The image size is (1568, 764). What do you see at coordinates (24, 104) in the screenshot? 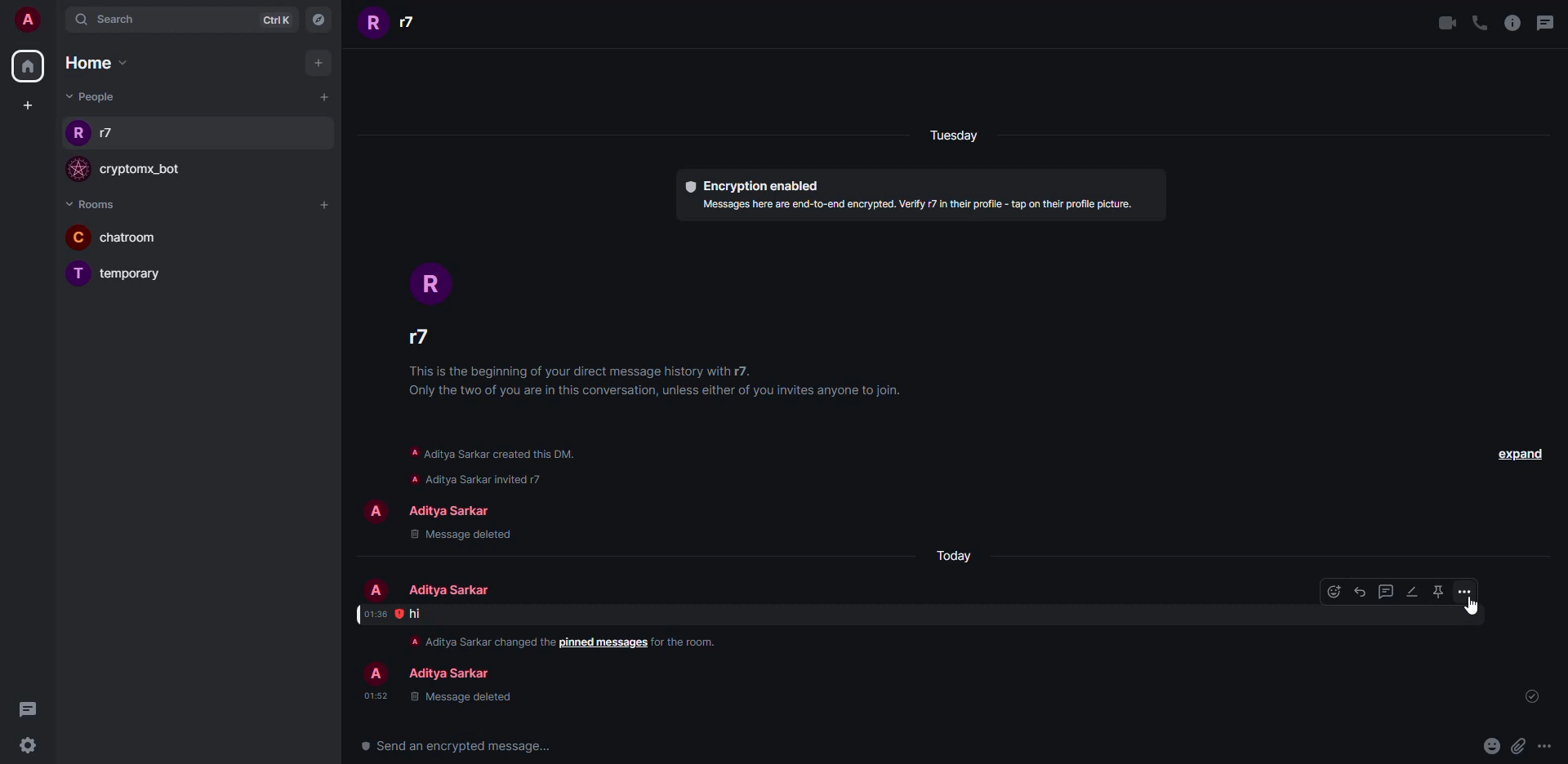
I see `create space` at bounding box center [24, 104].